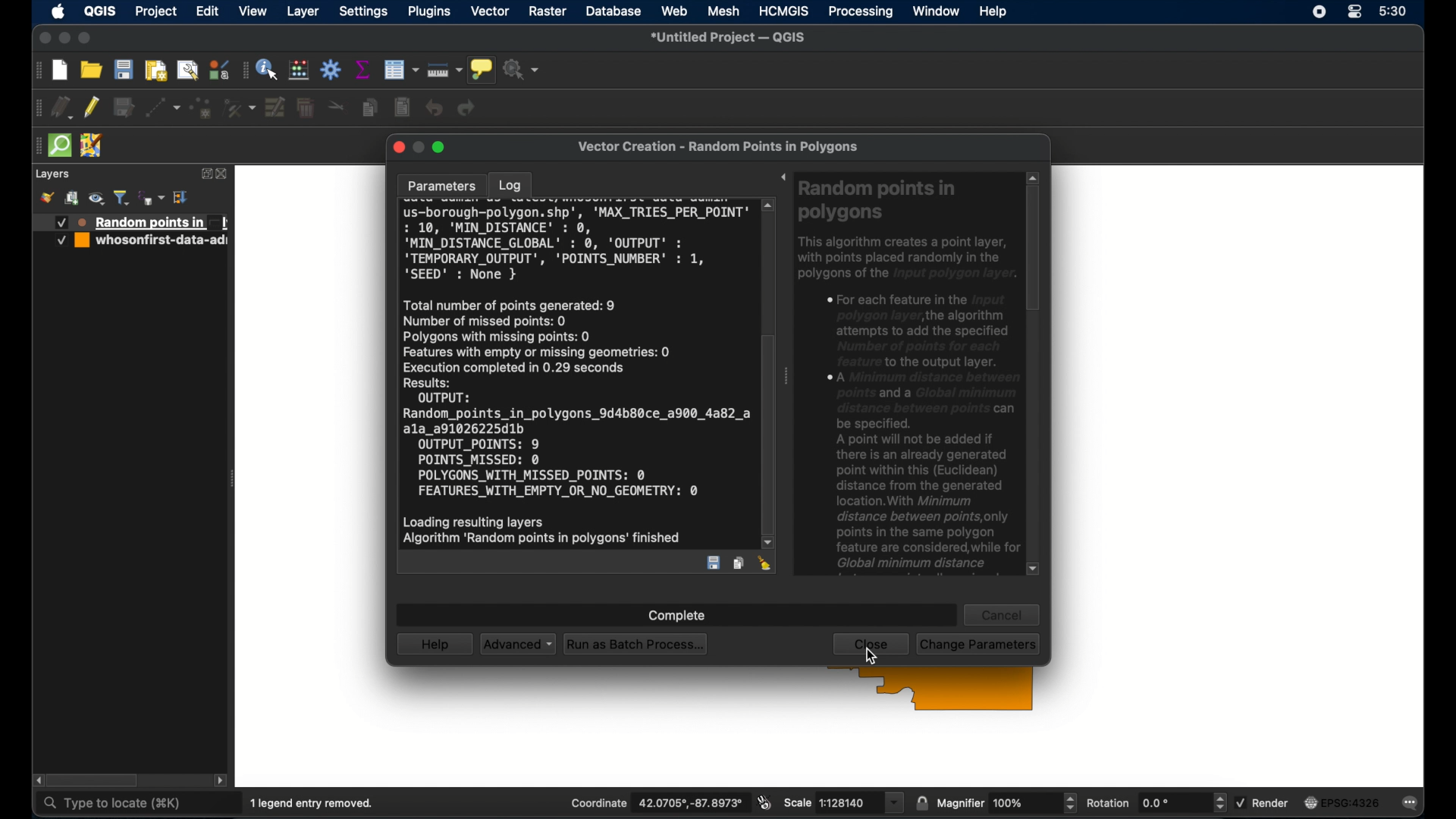 This screenshot has width=1456, height=819. What do you see at coordinates (303, 11) in the screenshot?
I see `layer` at bounding box center [303, 11].